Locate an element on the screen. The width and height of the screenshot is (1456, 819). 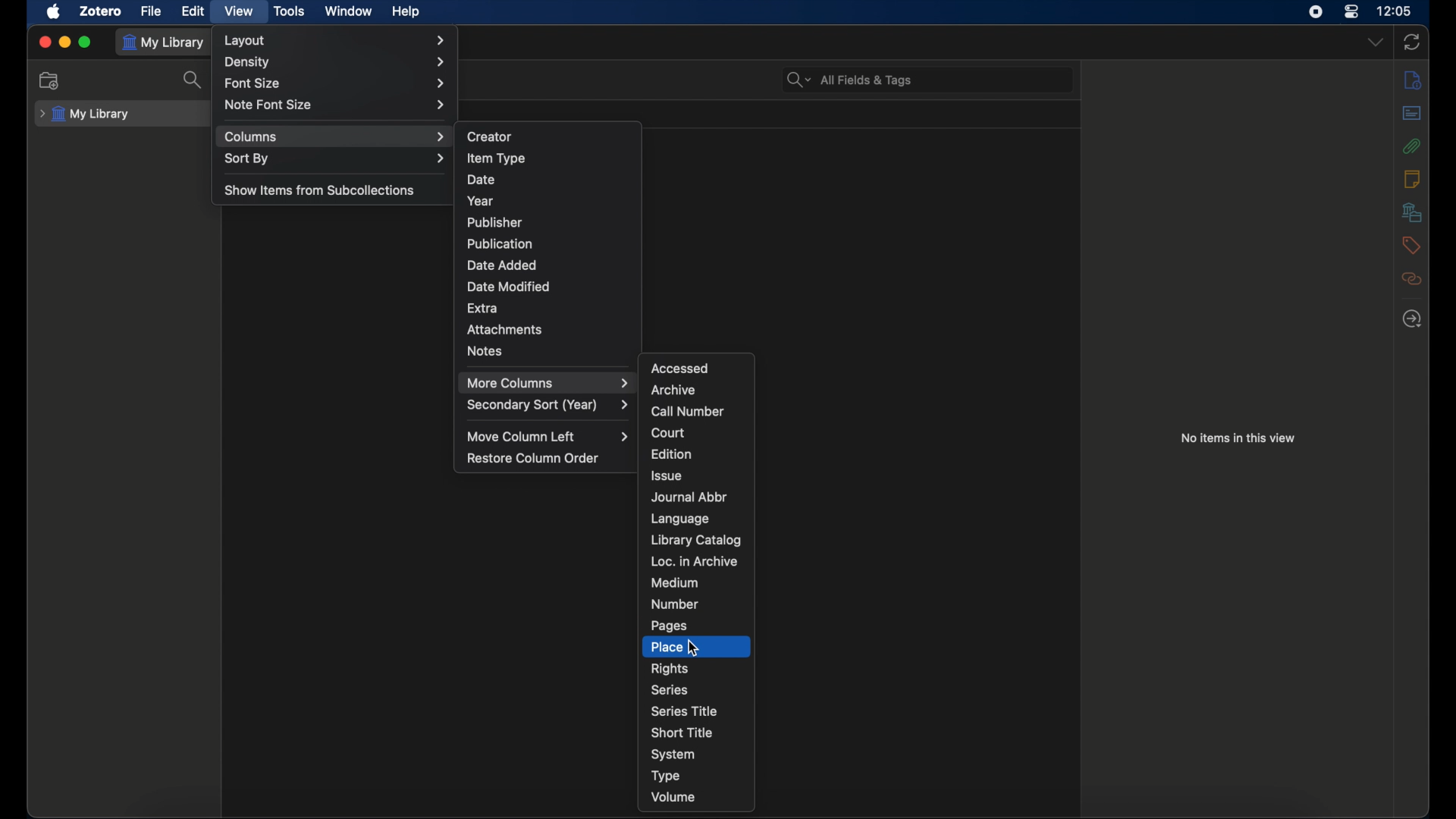
libraries is located at coordinates (1414, 212).